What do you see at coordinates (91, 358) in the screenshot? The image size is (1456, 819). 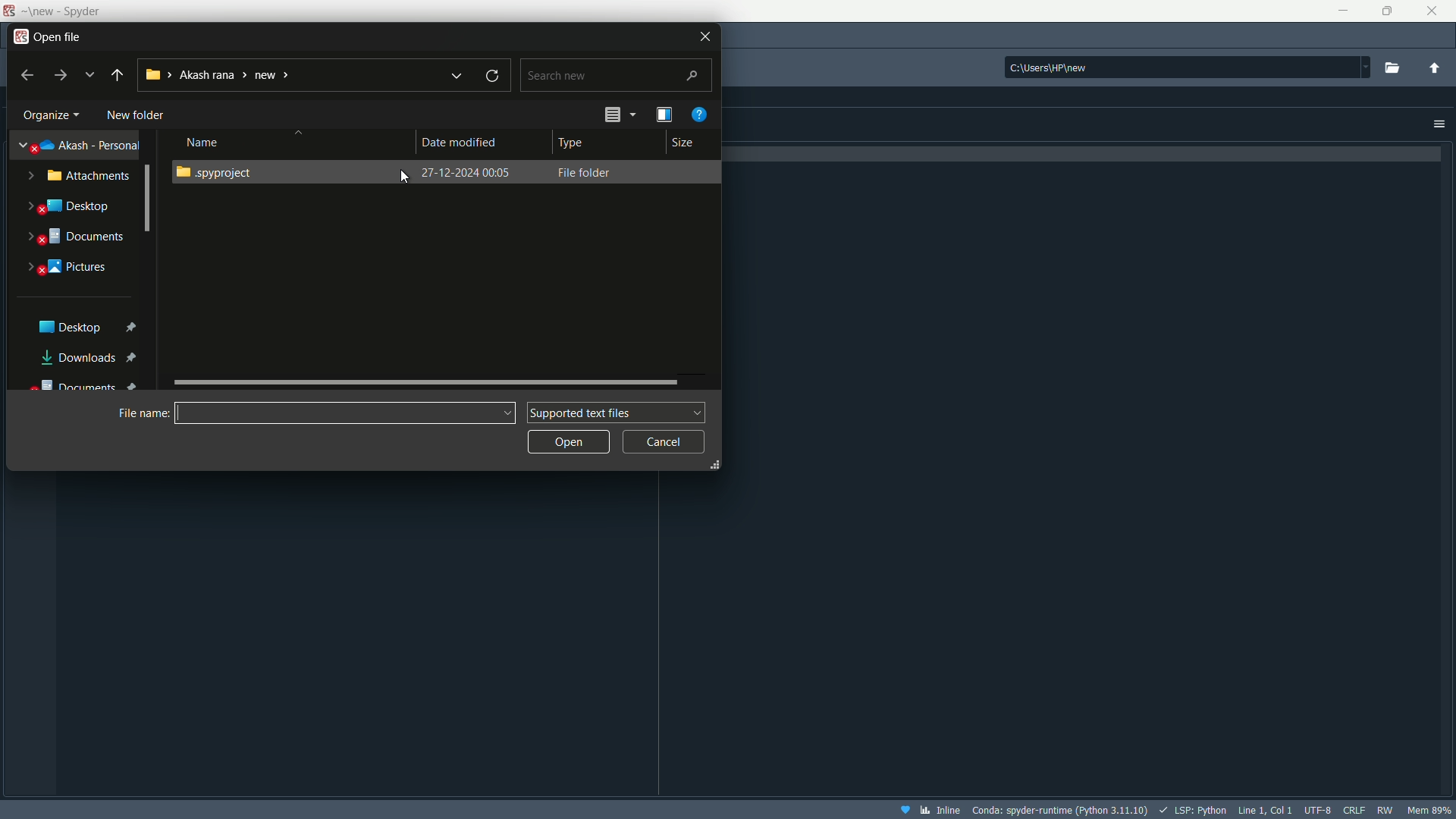 I see `Downloads` at bounding box center [91, 358].